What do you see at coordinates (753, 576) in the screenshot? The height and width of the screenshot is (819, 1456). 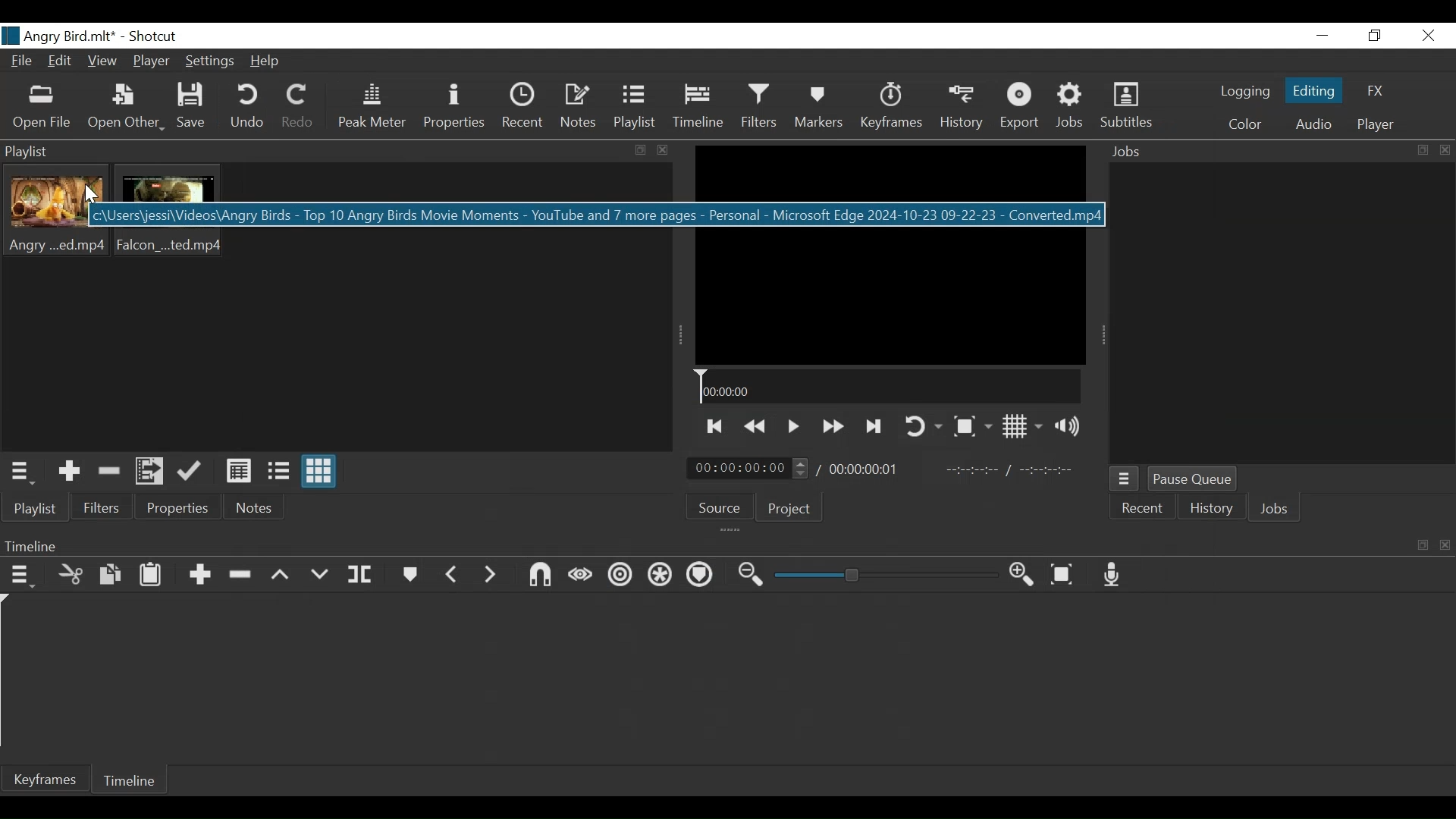 I see `Zoom timeline out` at bounding box center [753, 576].